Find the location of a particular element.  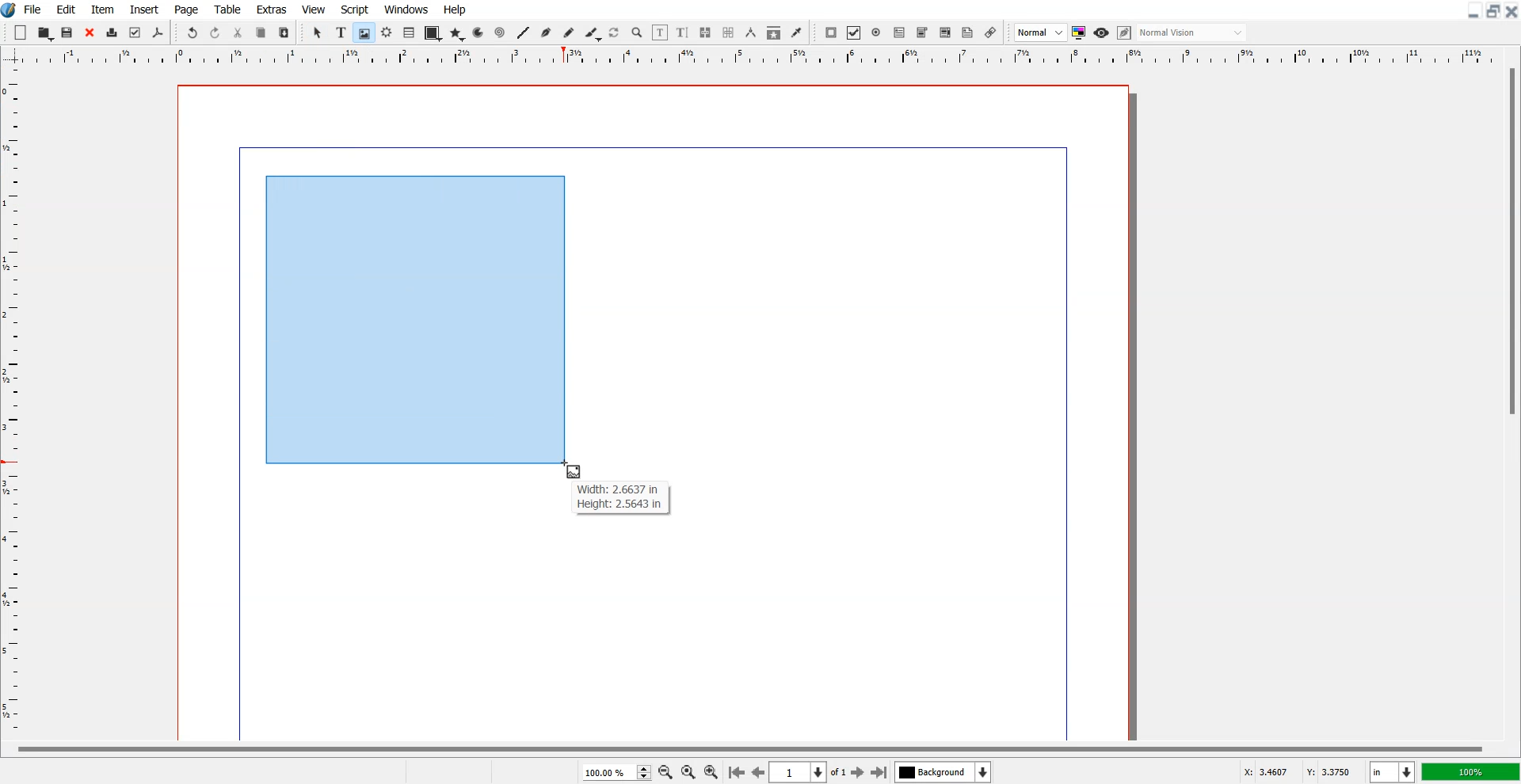

Horizontal scroll bar is located at coordinates (746, 747).